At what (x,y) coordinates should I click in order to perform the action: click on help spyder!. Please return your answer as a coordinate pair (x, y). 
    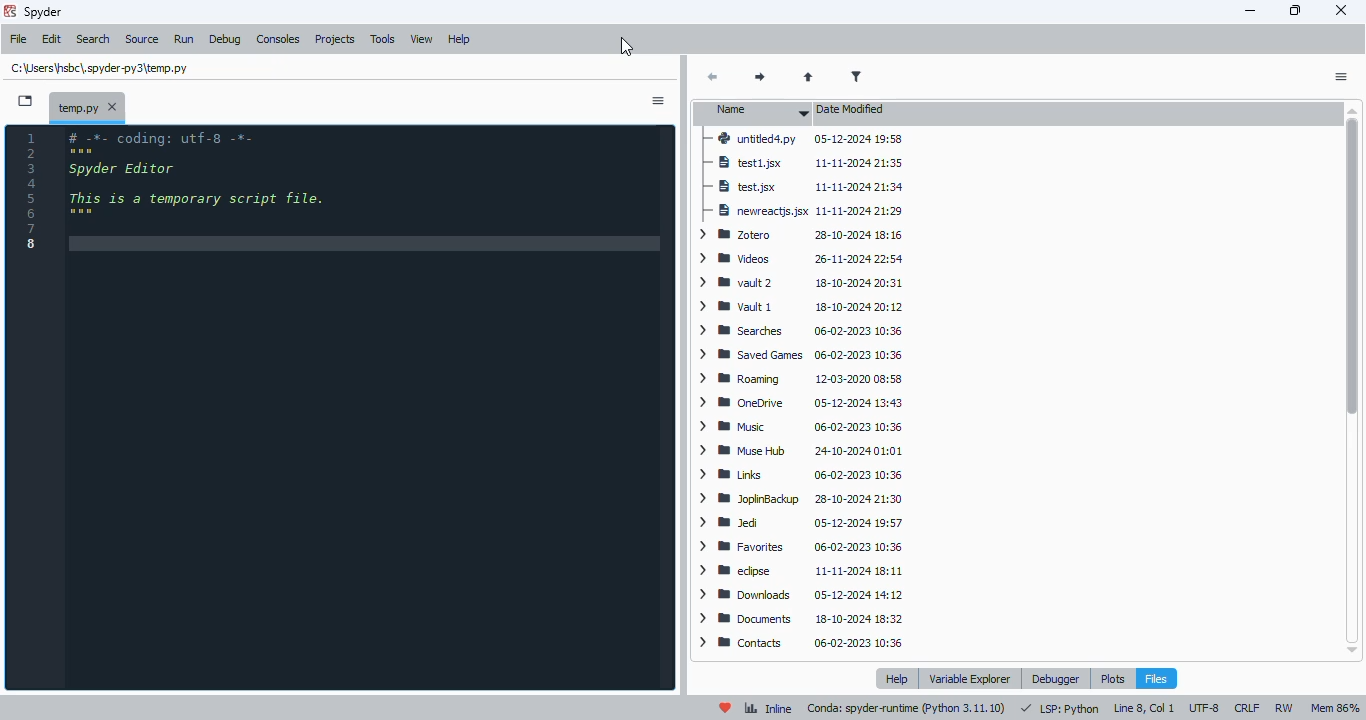
    Looking at the image, I should click on (726, 709).